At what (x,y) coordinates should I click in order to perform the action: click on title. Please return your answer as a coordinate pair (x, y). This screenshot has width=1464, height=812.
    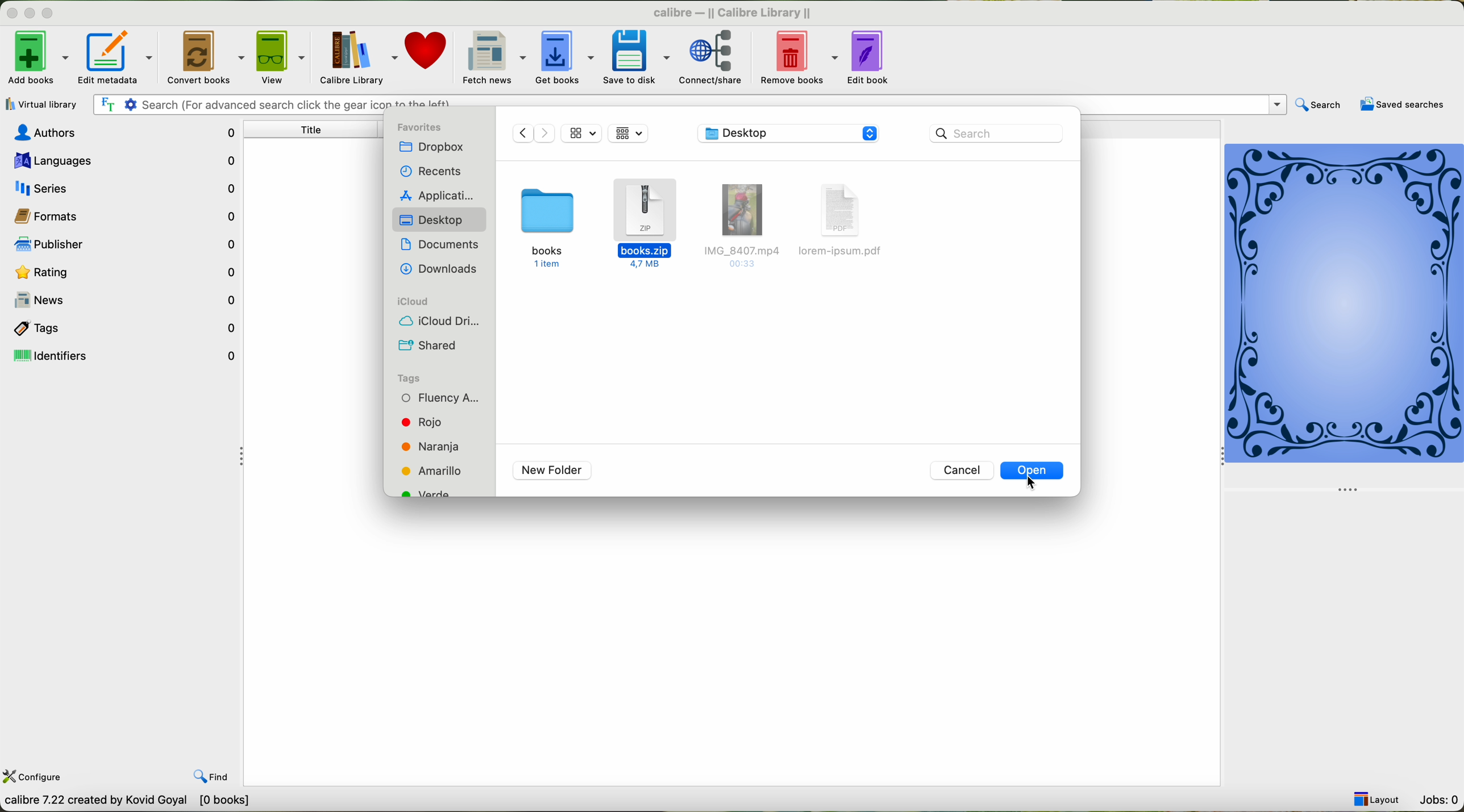
    Looking at the image, I should click on (314, 131).